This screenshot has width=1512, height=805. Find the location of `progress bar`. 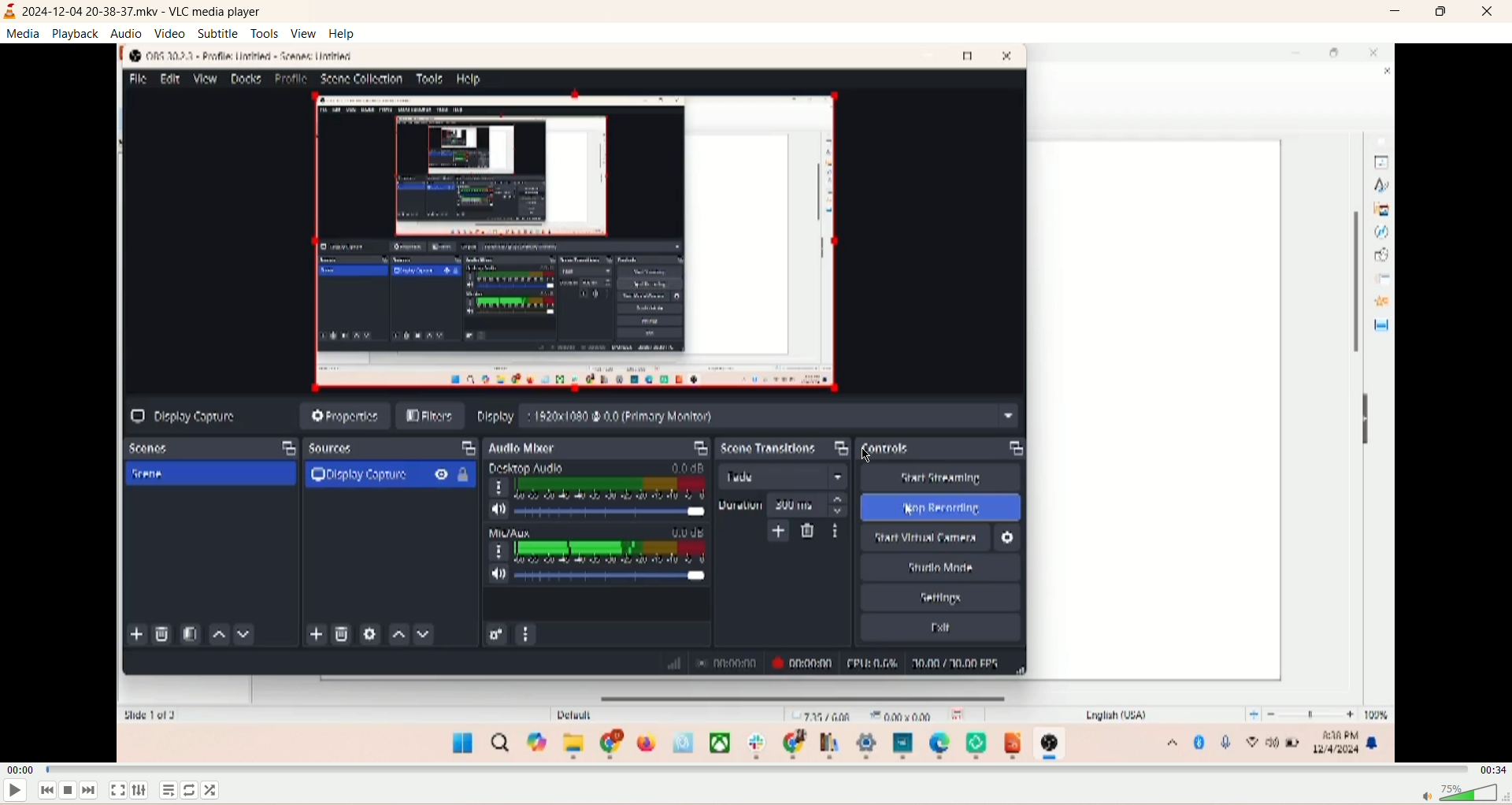

progress bar is located at coordinates (760, 768).